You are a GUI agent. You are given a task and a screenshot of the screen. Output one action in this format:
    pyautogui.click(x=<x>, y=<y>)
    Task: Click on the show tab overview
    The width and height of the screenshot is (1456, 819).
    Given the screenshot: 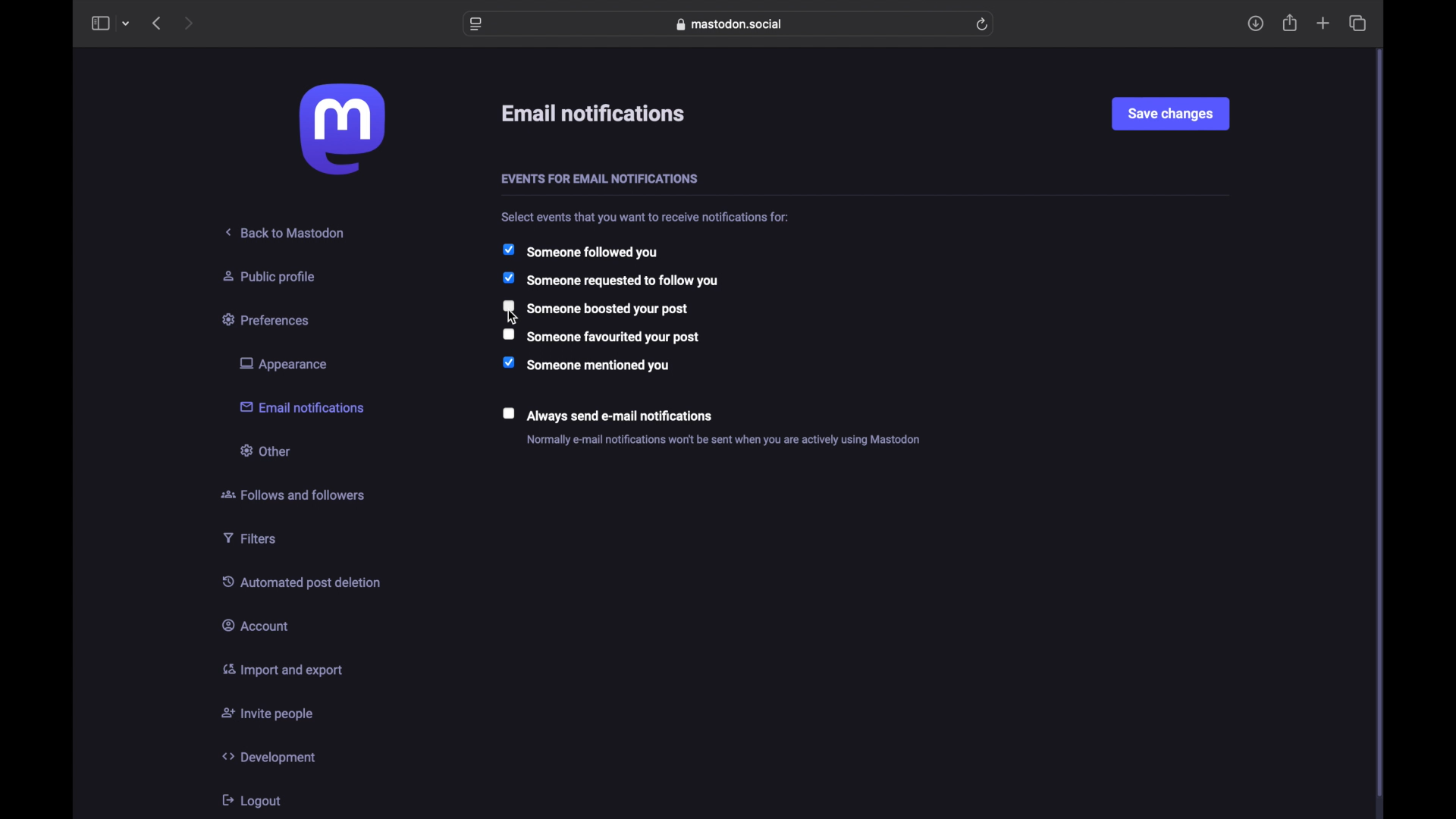 What is the action you would take?
    pyautogui.click(x=1357, y=23)
    